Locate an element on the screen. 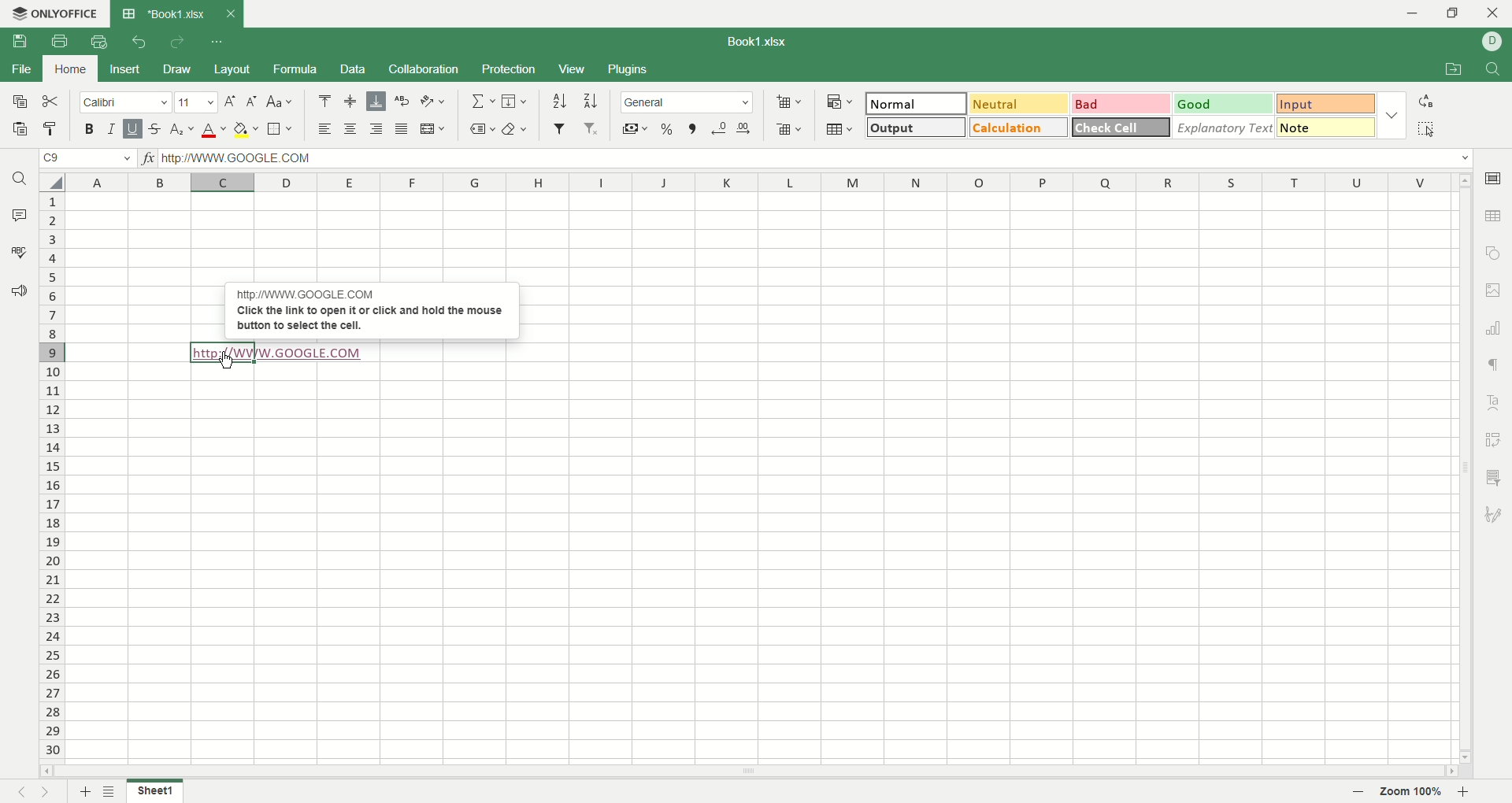  filter is located at coordinates (559, 128).